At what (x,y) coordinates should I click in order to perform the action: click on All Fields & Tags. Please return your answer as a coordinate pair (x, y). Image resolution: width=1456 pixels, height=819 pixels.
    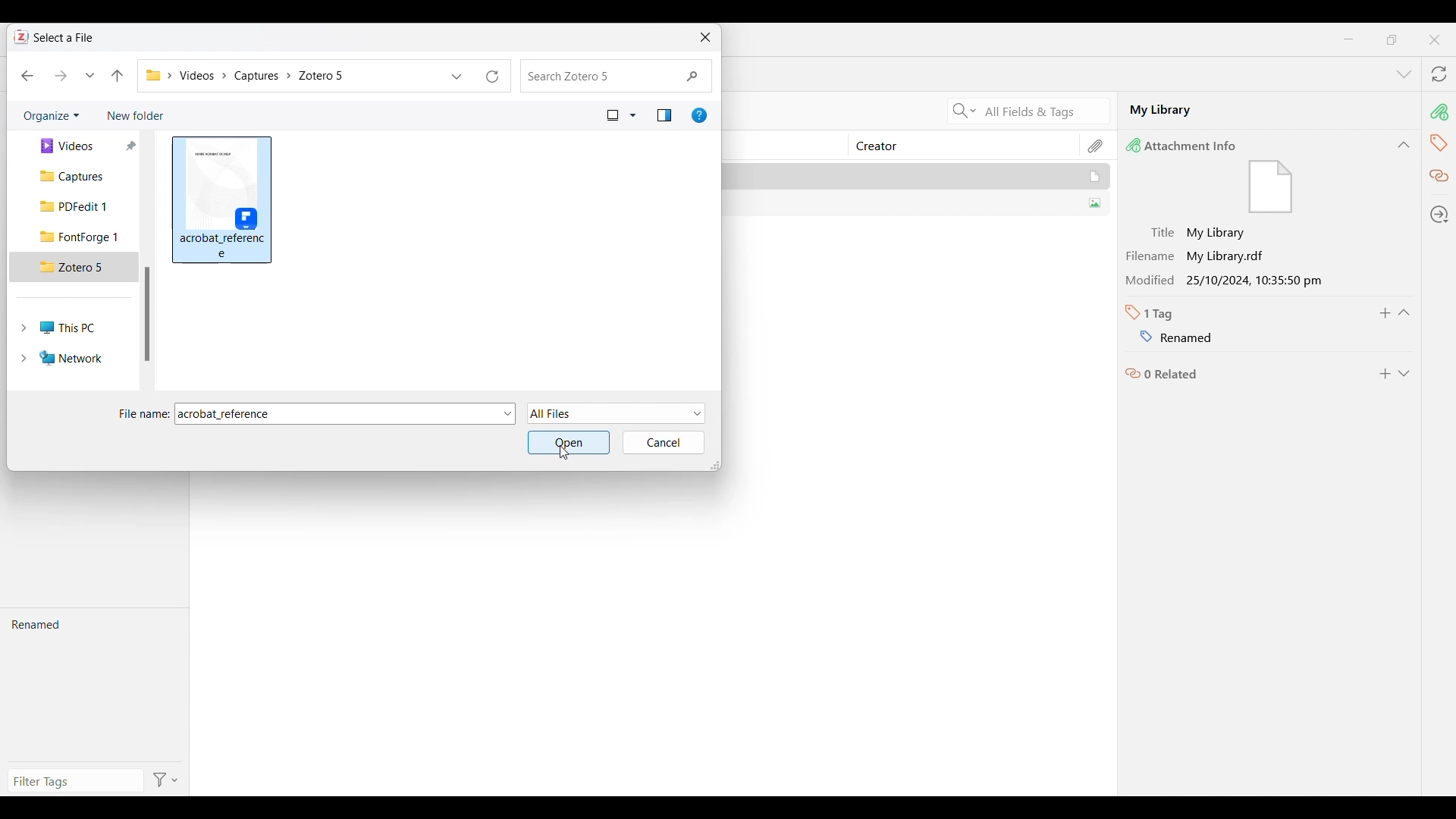
    Looking at the image, I should click on (1046, 111).